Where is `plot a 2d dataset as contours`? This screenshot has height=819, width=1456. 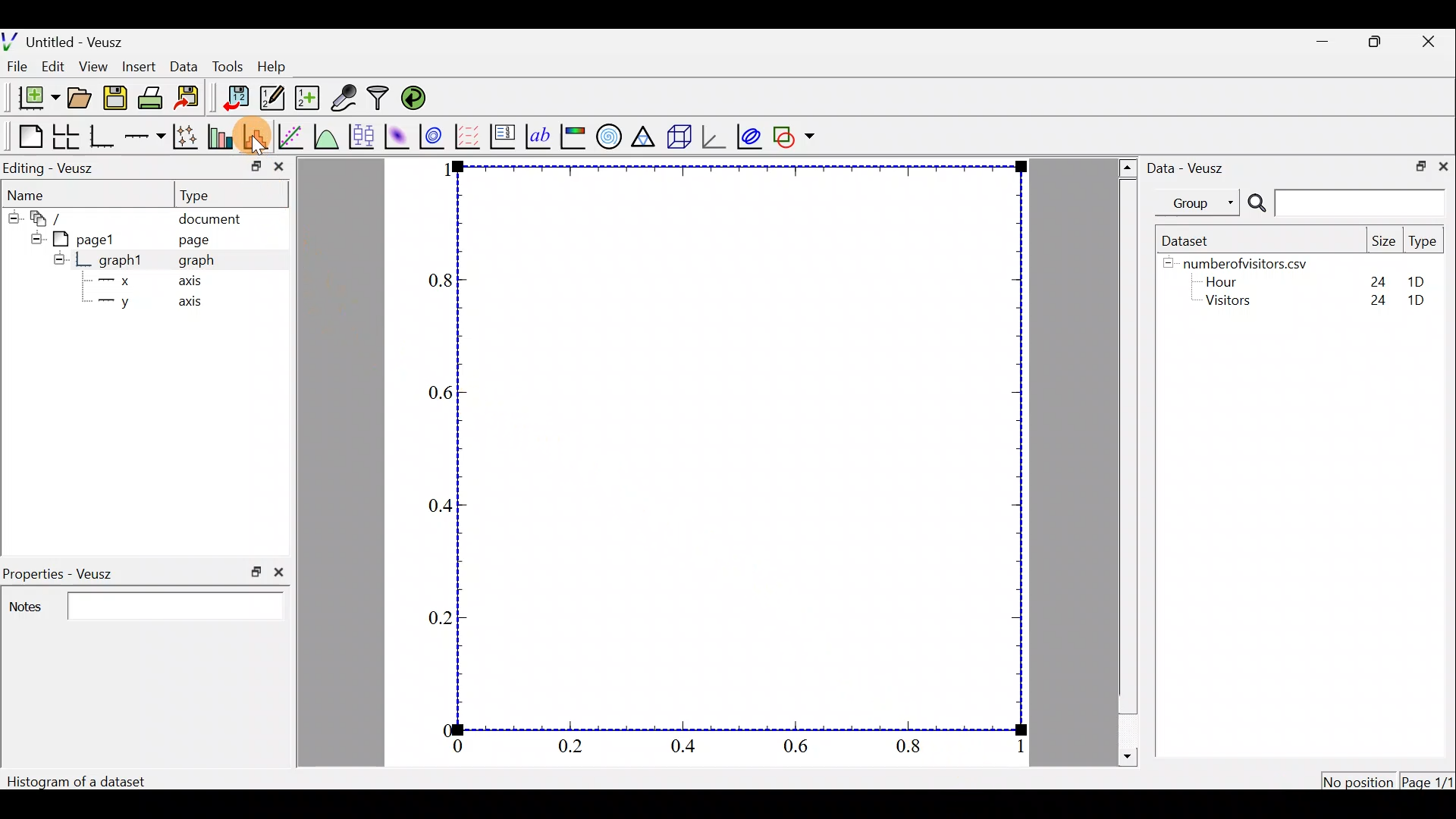 plot a 2d dataset as contours is located at coordinates (431, 136).